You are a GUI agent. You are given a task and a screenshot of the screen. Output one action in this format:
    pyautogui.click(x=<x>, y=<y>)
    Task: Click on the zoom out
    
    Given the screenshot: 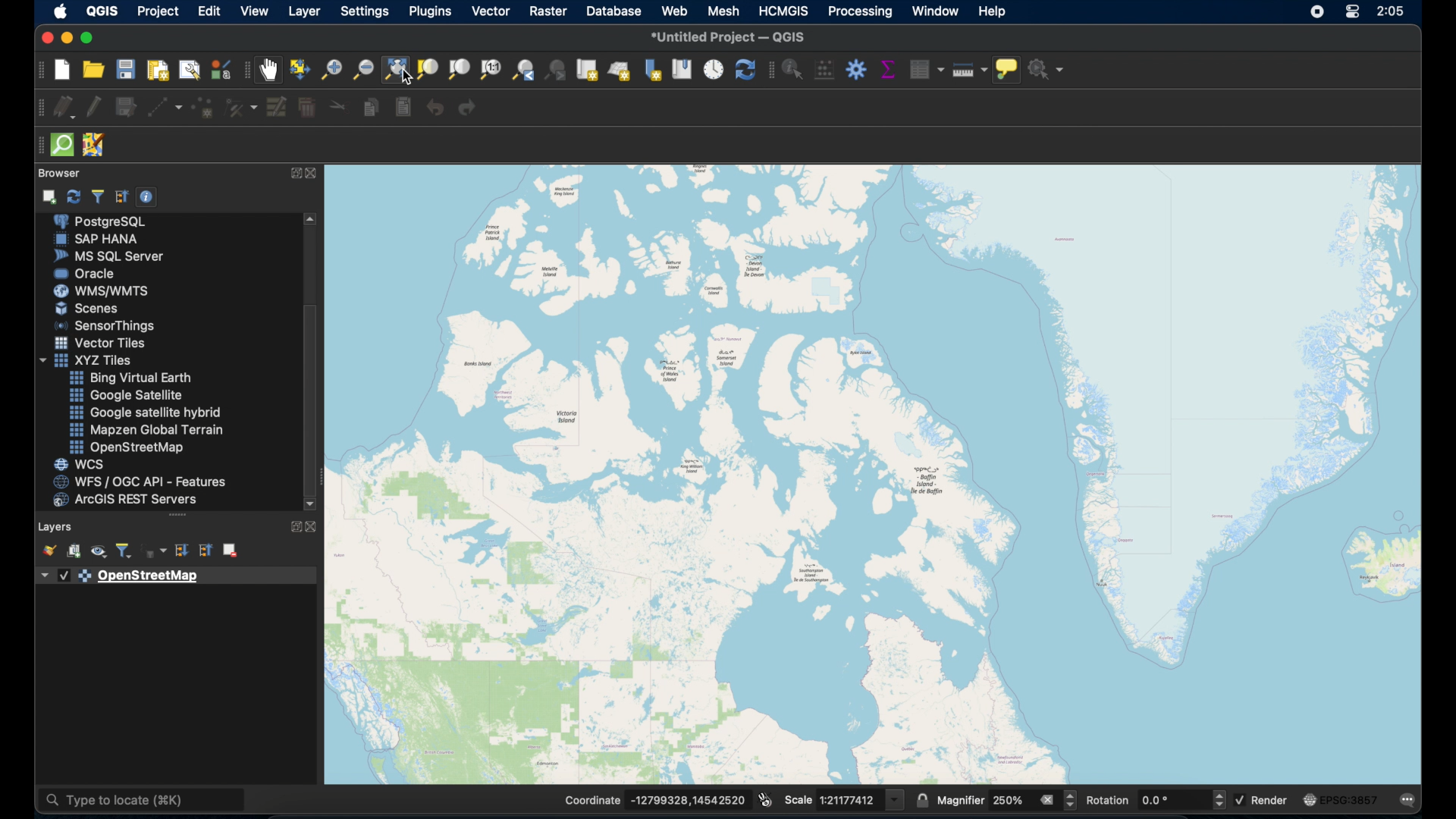 What is the action you would take?
    pyautogui.click(x=361, y=67)
    